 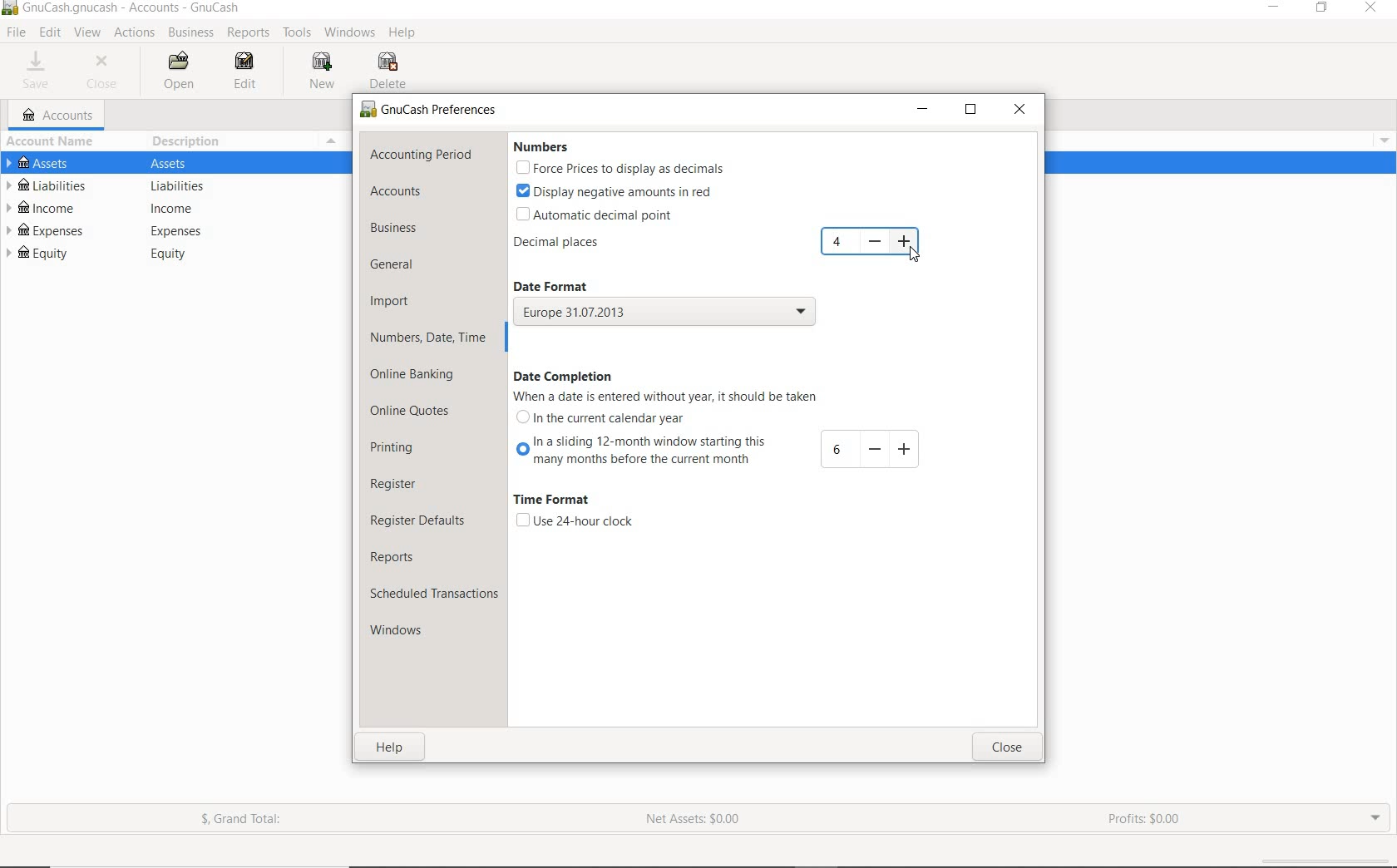 What do you see at coordinates (411, 413) in the screenshot?
I see `online quotes` at bounding box center [411, 413].